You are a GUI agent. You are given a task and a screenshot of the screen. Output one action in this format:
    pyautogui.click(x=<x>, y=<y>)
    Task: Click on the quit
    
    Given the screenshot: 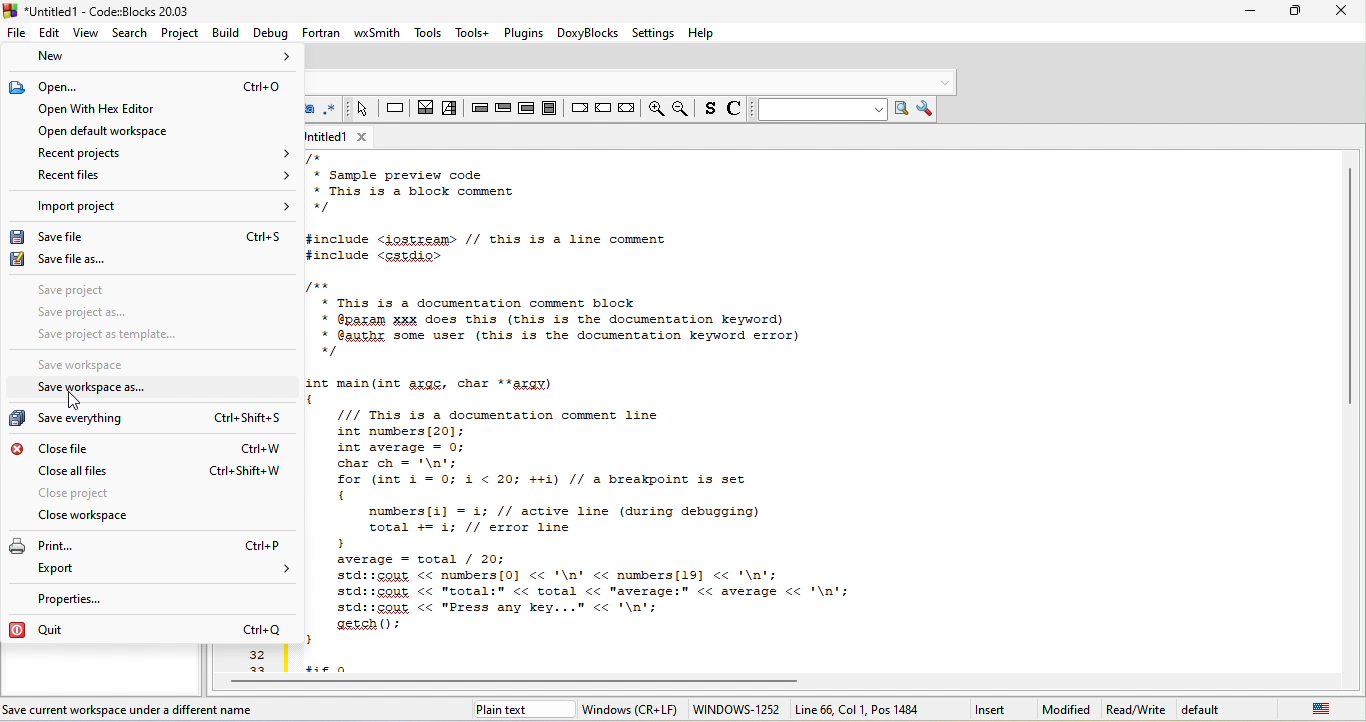 What is the action you would take?
    pyautogui.click(x=150, y=629)
    